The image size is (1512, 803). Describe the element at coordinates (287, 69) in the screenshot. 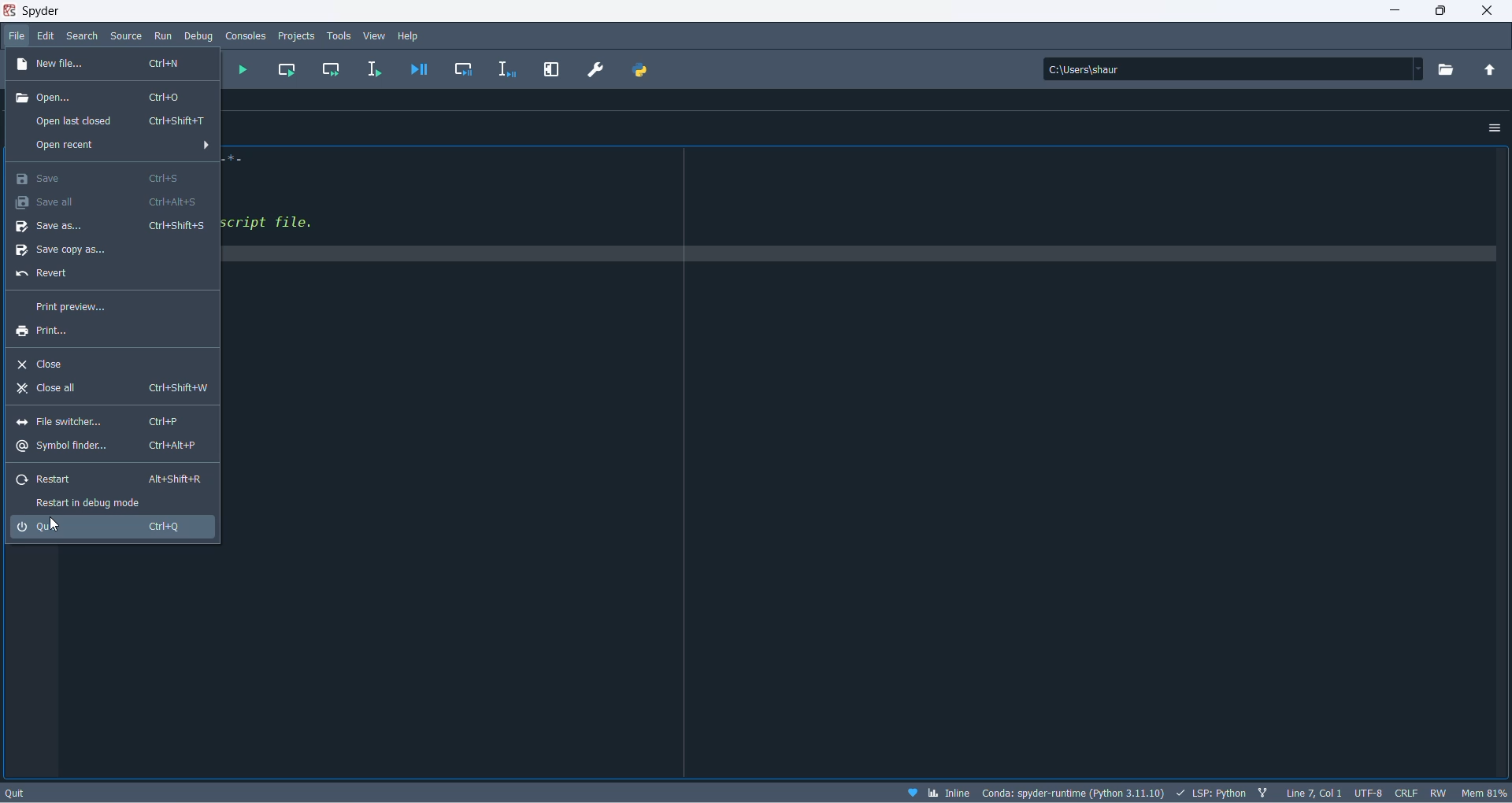

I see `run current cell` at that location.